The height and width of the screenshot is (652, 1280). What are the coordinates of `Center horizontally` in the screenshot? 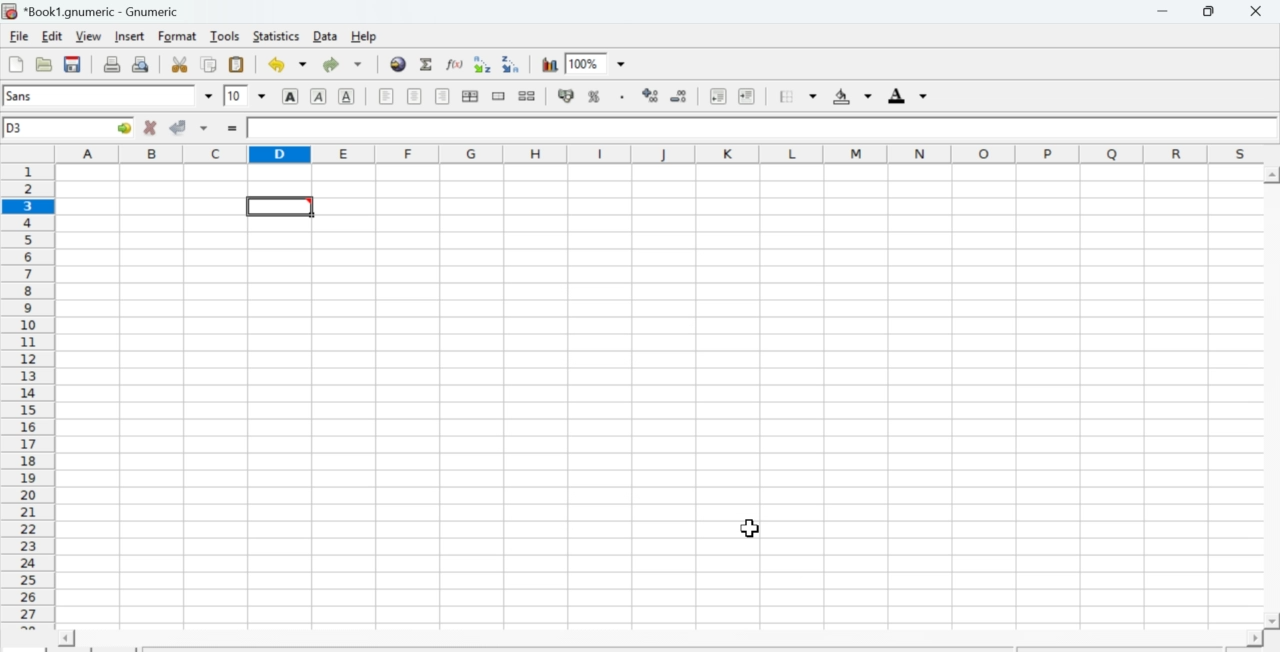 It's located at (413, 95).